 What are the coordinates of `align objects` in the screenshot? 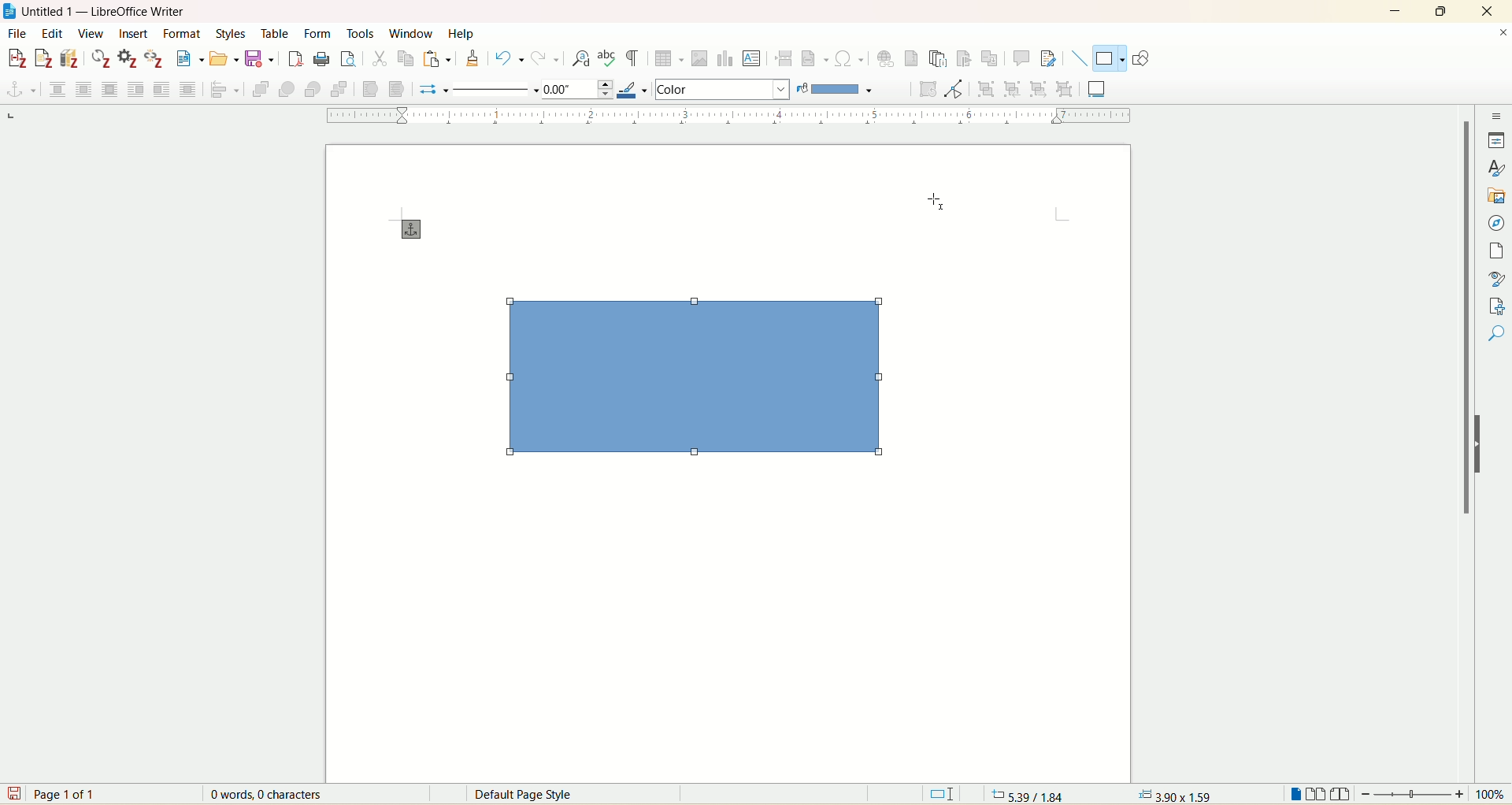 It's located at (226, 90).